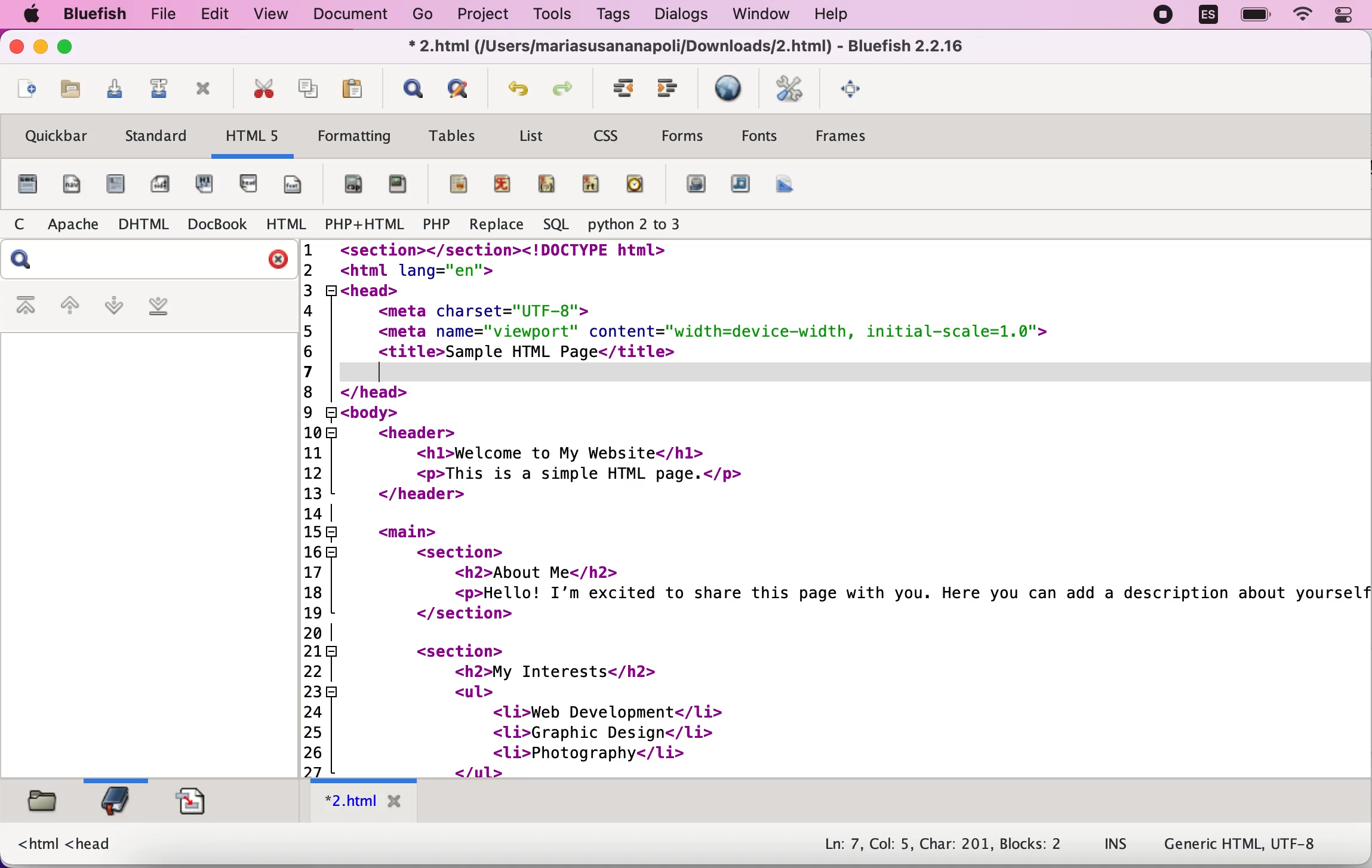  I want to click on edit, so click(222, 16).